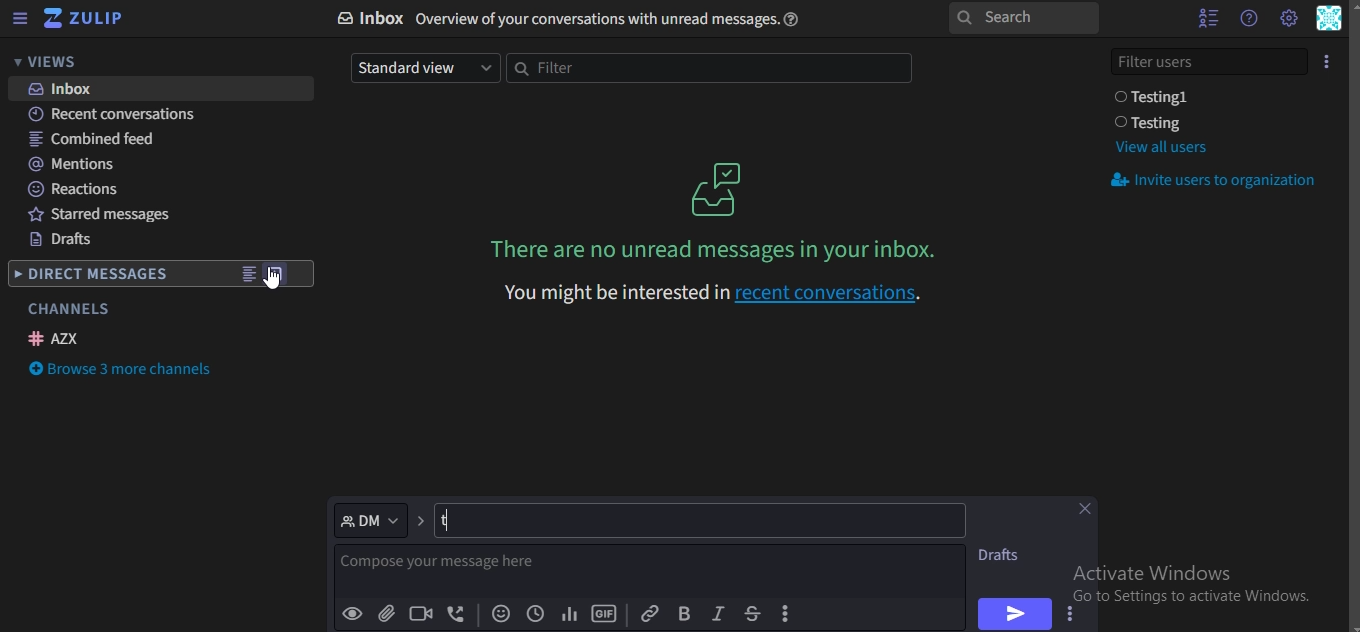 The image size is (1360, 632). Describe the element at coordinates (706, 69) in the screenshot. I see `filter` at that location.